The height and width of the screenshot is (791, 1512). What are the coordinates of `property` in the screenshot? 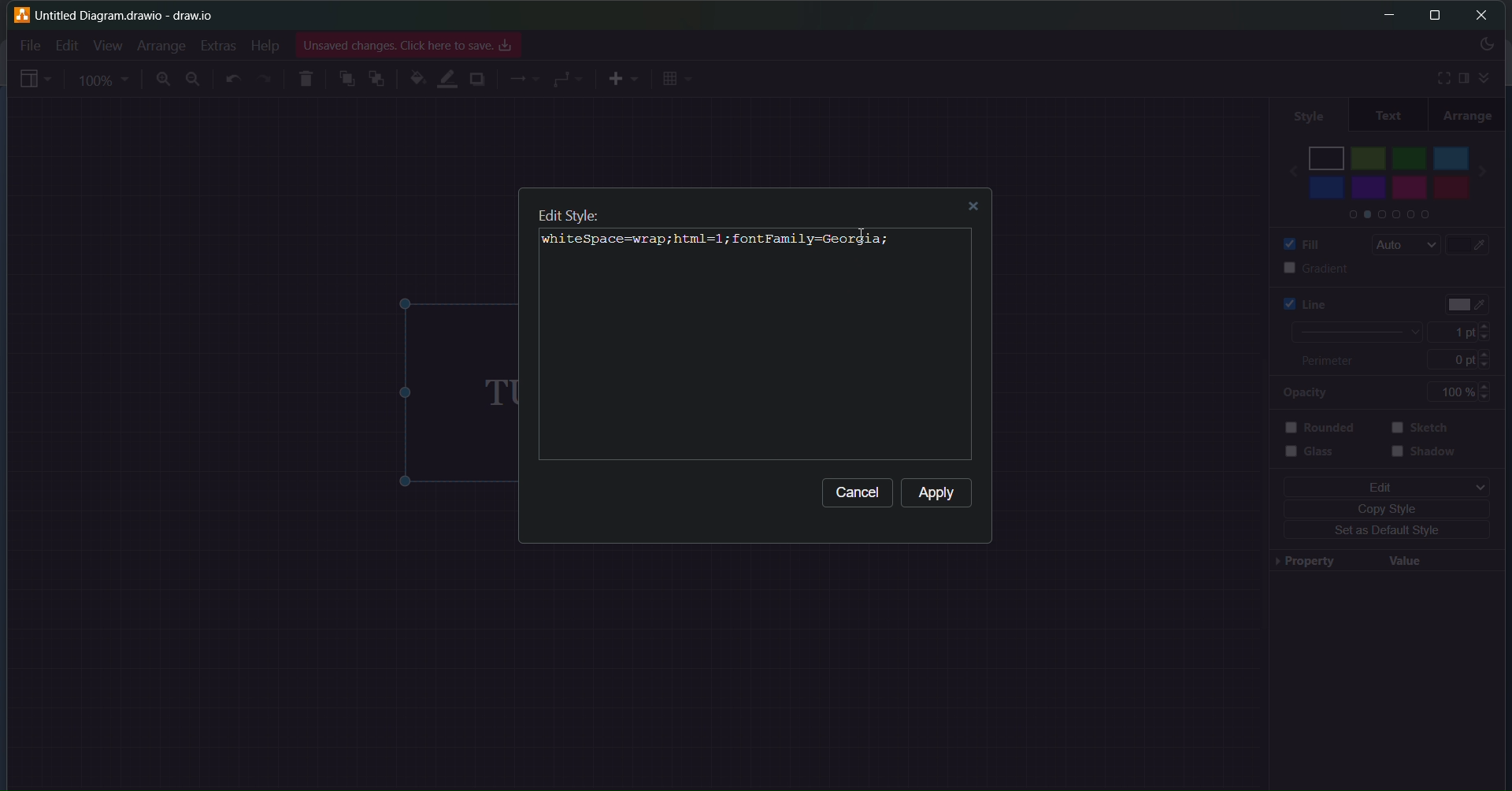 It's located at (1302, 563).